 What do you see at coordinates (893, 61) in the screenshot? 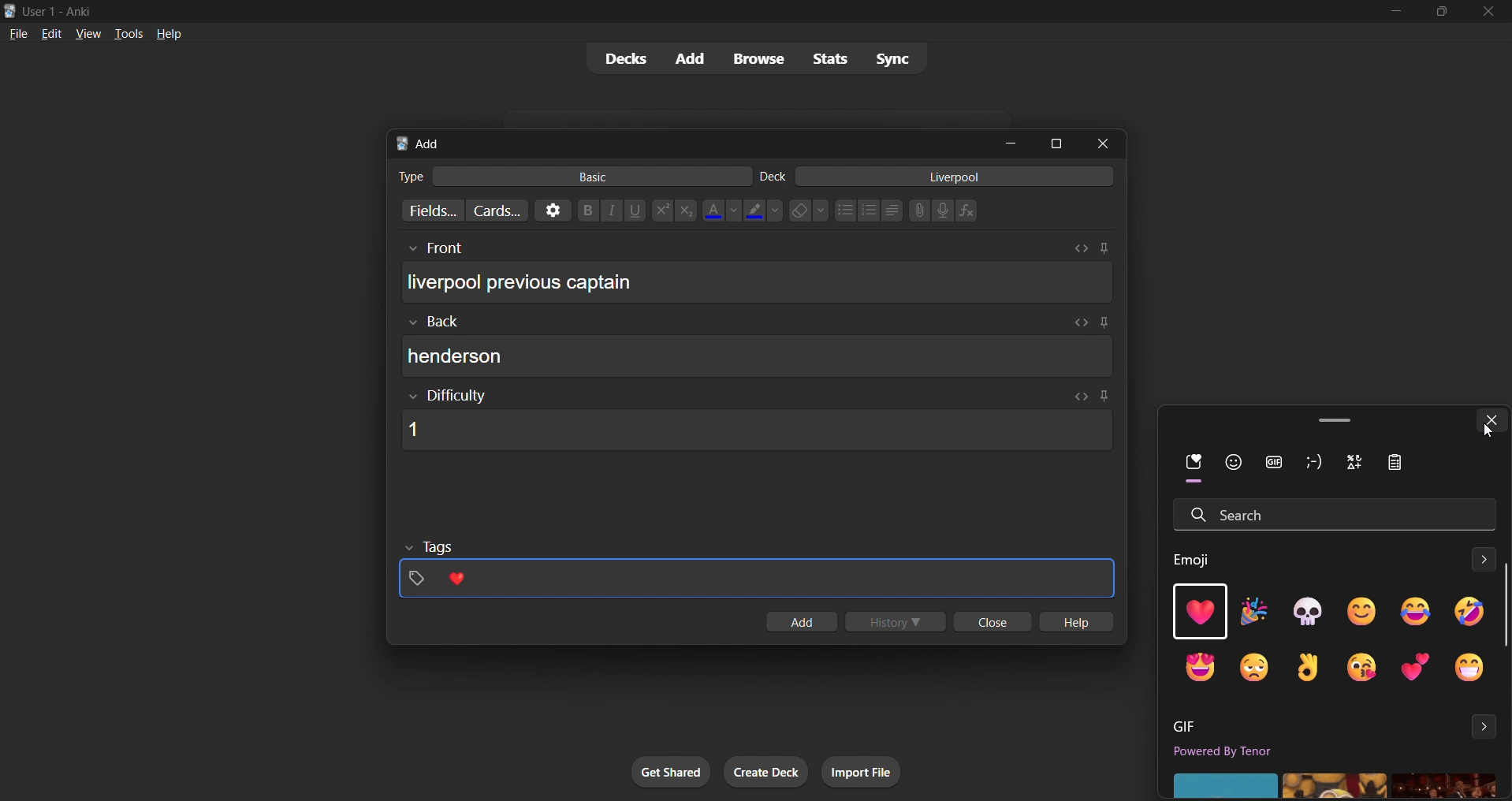
I see `sync` at bounding box center [893, 61].